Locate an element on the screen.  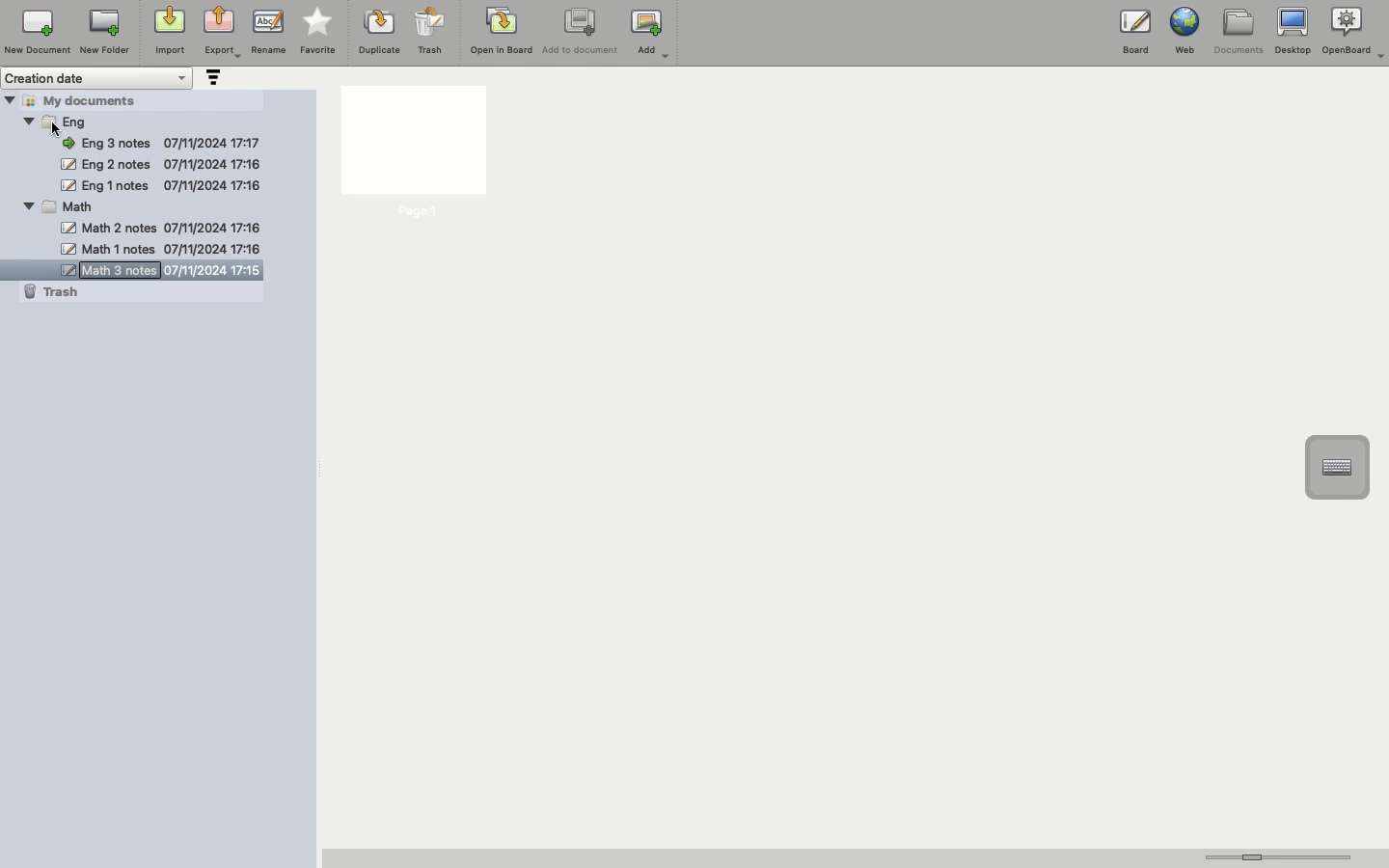
OpenBoard is located at coordinates (1355, 31).